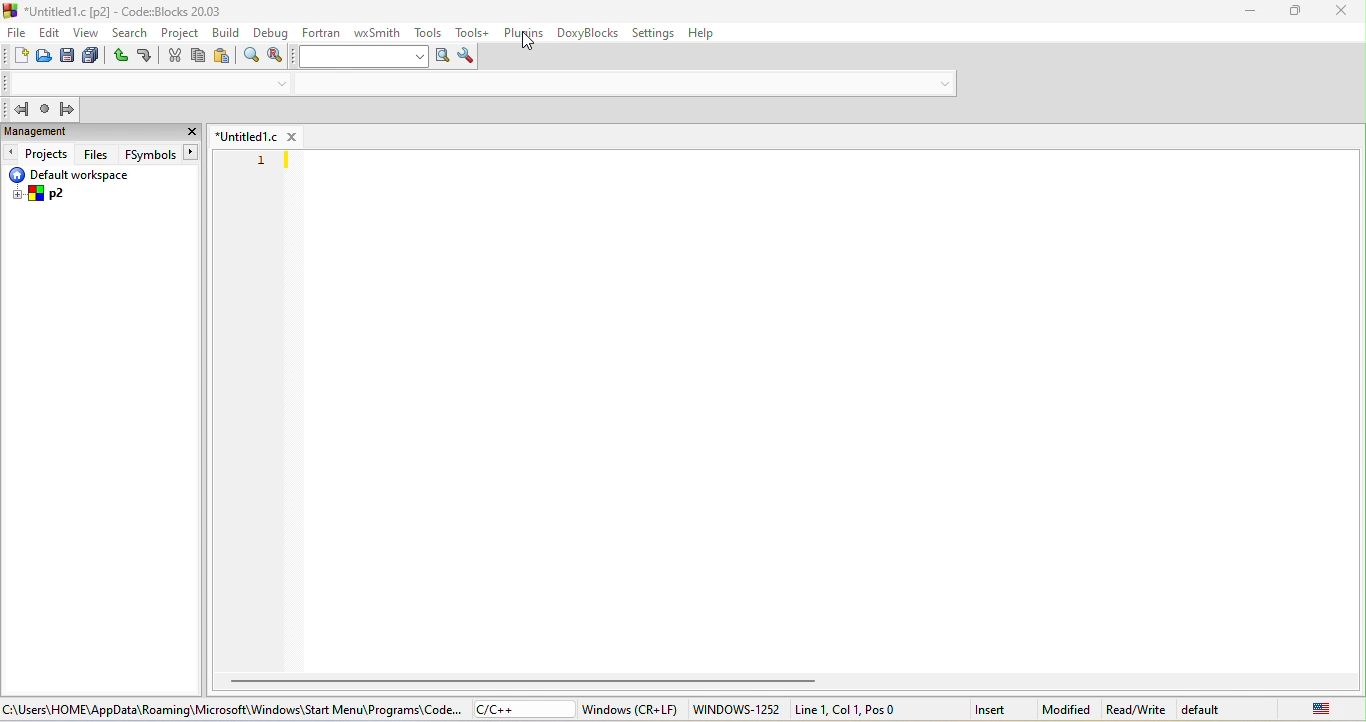 This screenshot has width=1366, height=722. I want to click on undo, so click(121, 55).